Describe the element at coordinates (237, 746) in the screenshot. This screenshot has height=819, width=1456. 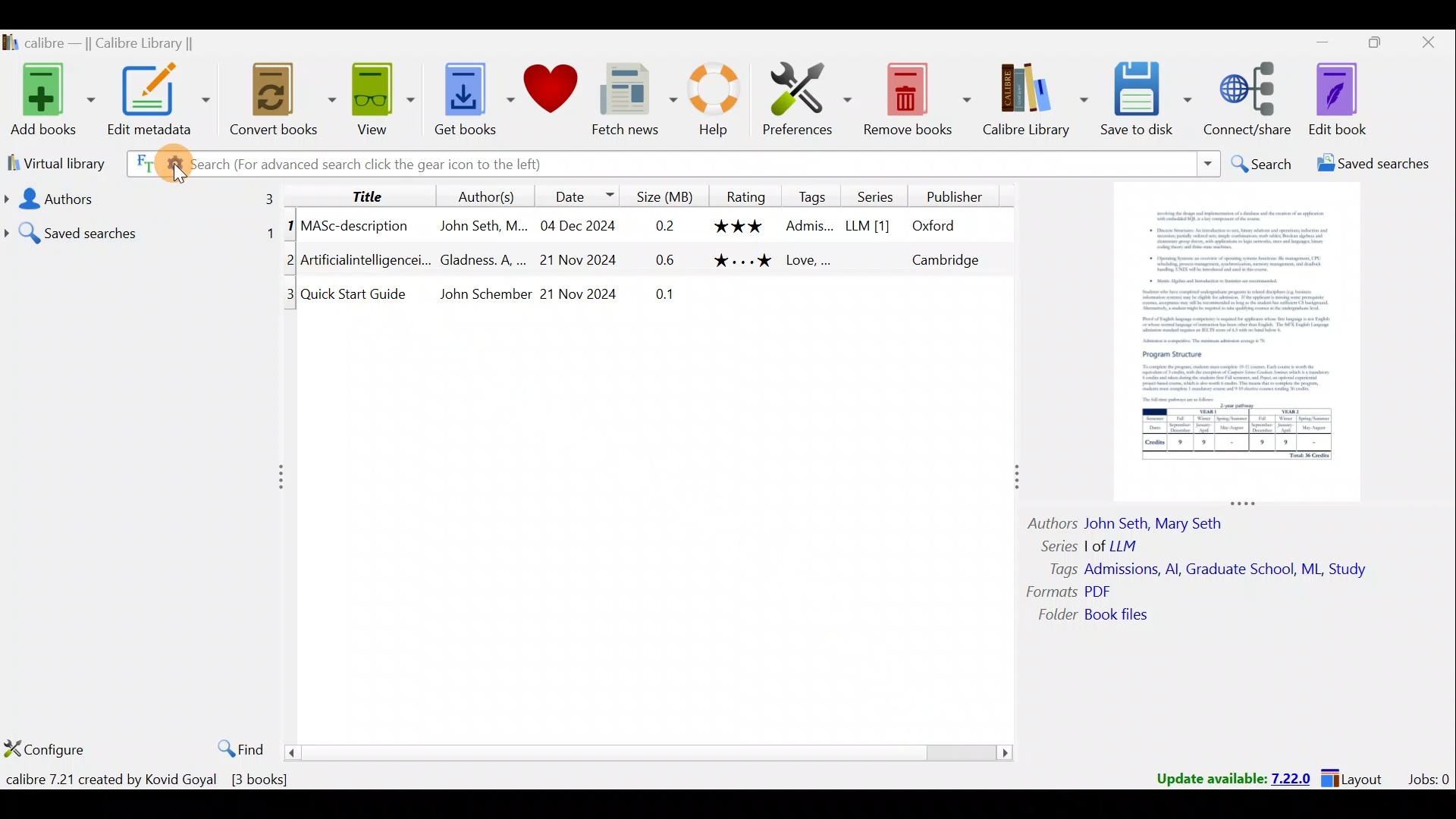
I see `Find` at that location.